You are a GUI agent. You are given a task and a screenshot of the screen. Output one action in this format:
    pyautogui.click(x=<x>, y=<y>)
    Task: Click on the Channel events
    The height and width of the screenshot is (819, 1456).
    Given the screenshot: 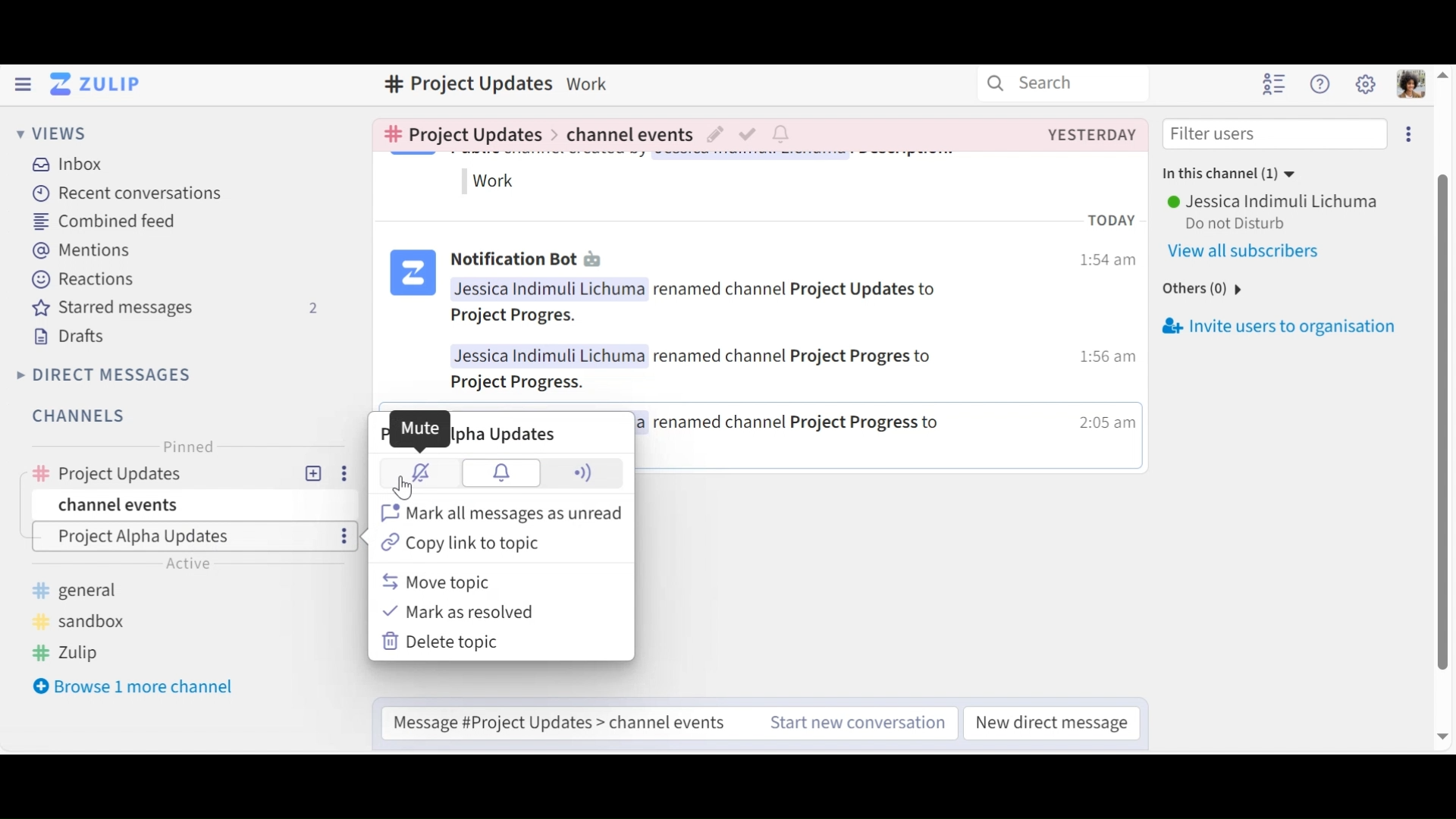 What is the action you would take?
    pyautogui.click(x=194, y=503)
    